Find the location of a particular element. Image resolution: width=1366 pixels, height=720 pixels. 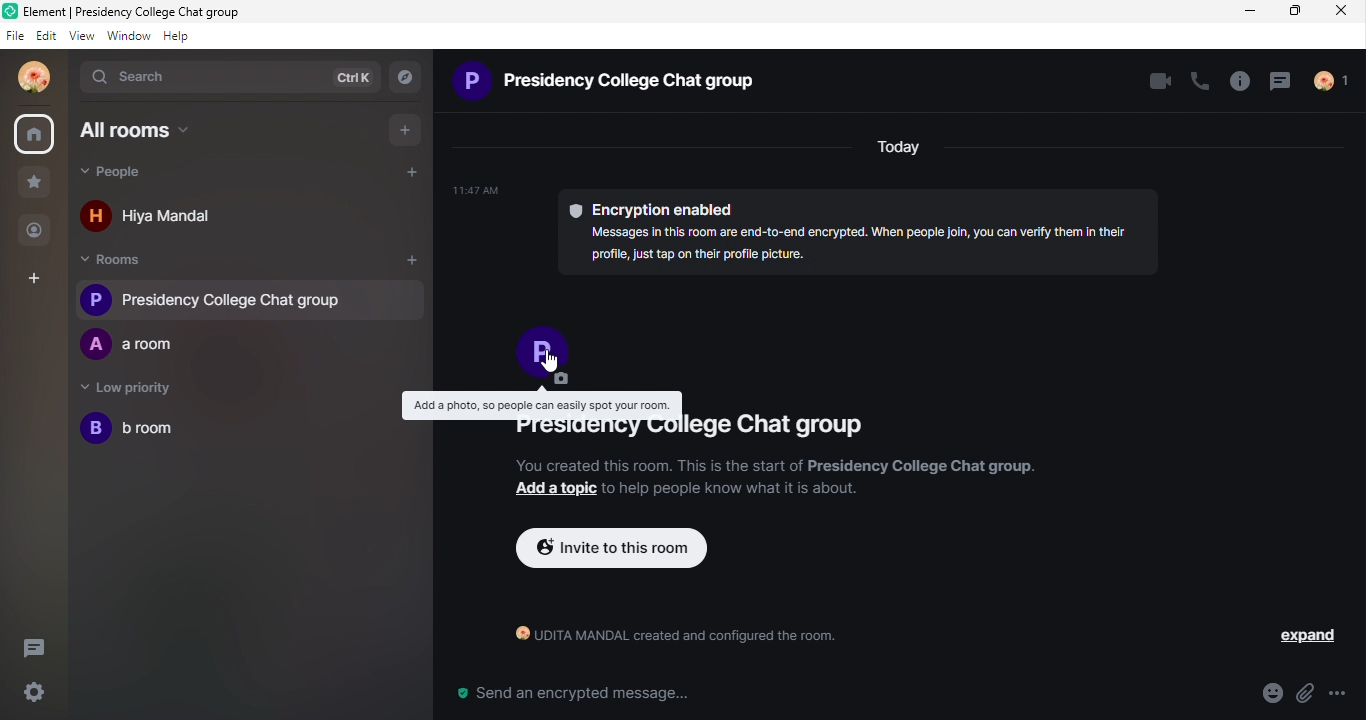

video call is located at coordinates (1156, 83).